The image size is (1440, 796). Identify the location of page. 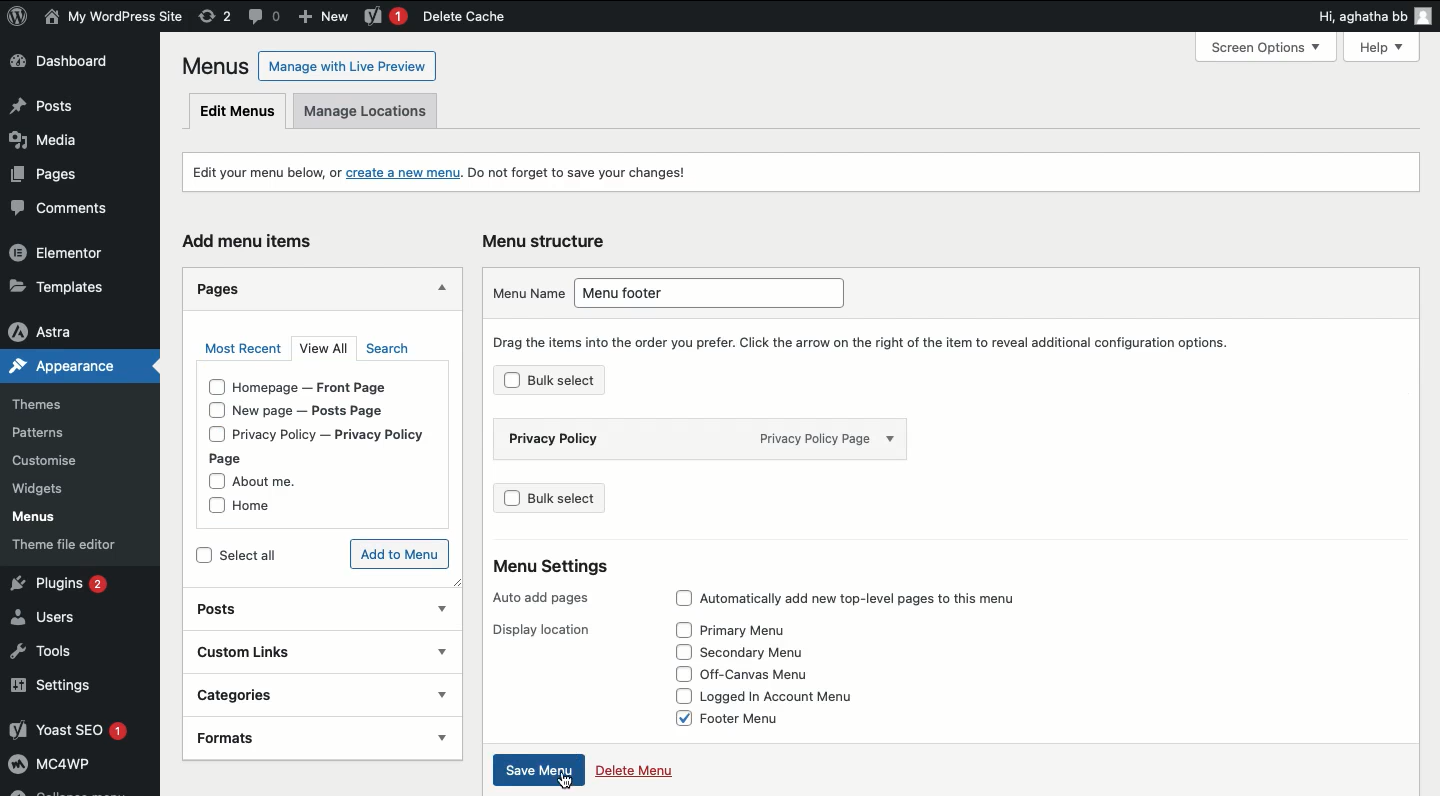
(234, 459).